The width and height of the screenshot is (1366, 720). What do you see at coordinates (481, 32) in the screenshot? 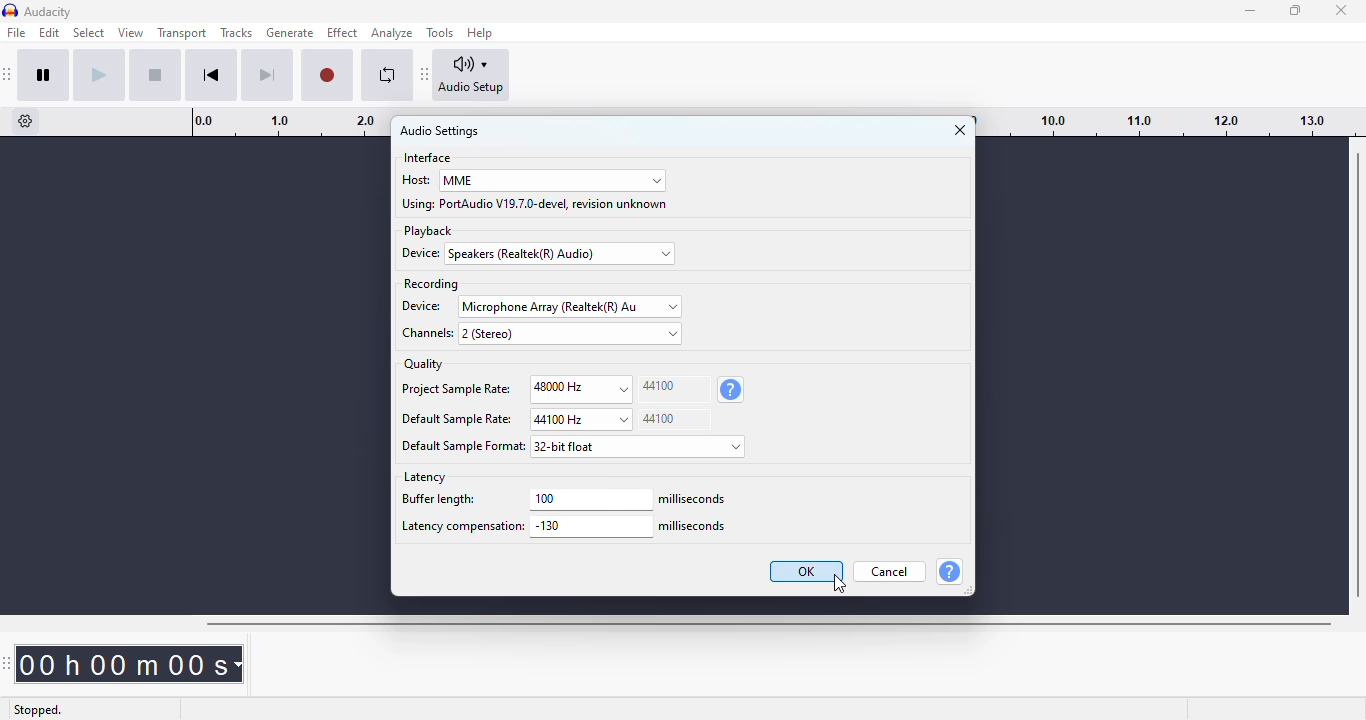
I see `help` at bounding box center [481, 32].